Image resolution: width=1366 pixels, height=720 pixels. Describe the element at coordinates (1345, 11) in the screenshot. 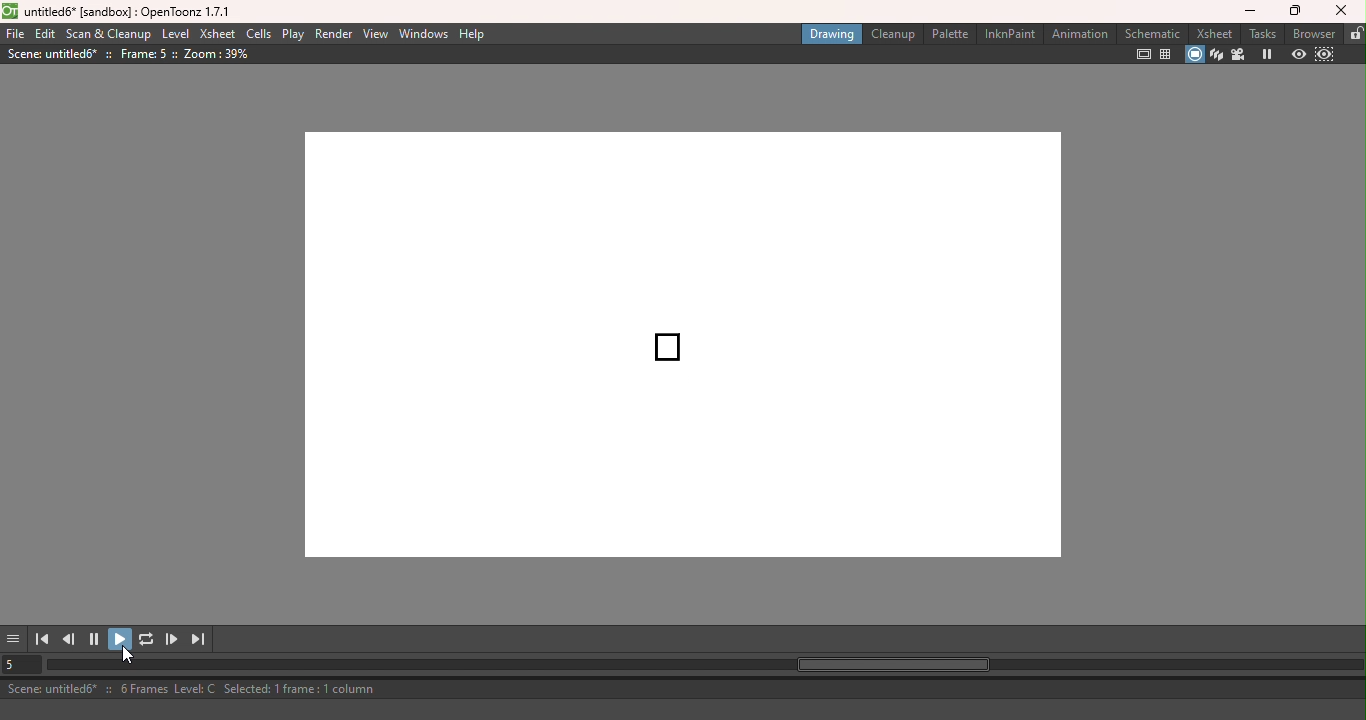

I see `Close` at that location.